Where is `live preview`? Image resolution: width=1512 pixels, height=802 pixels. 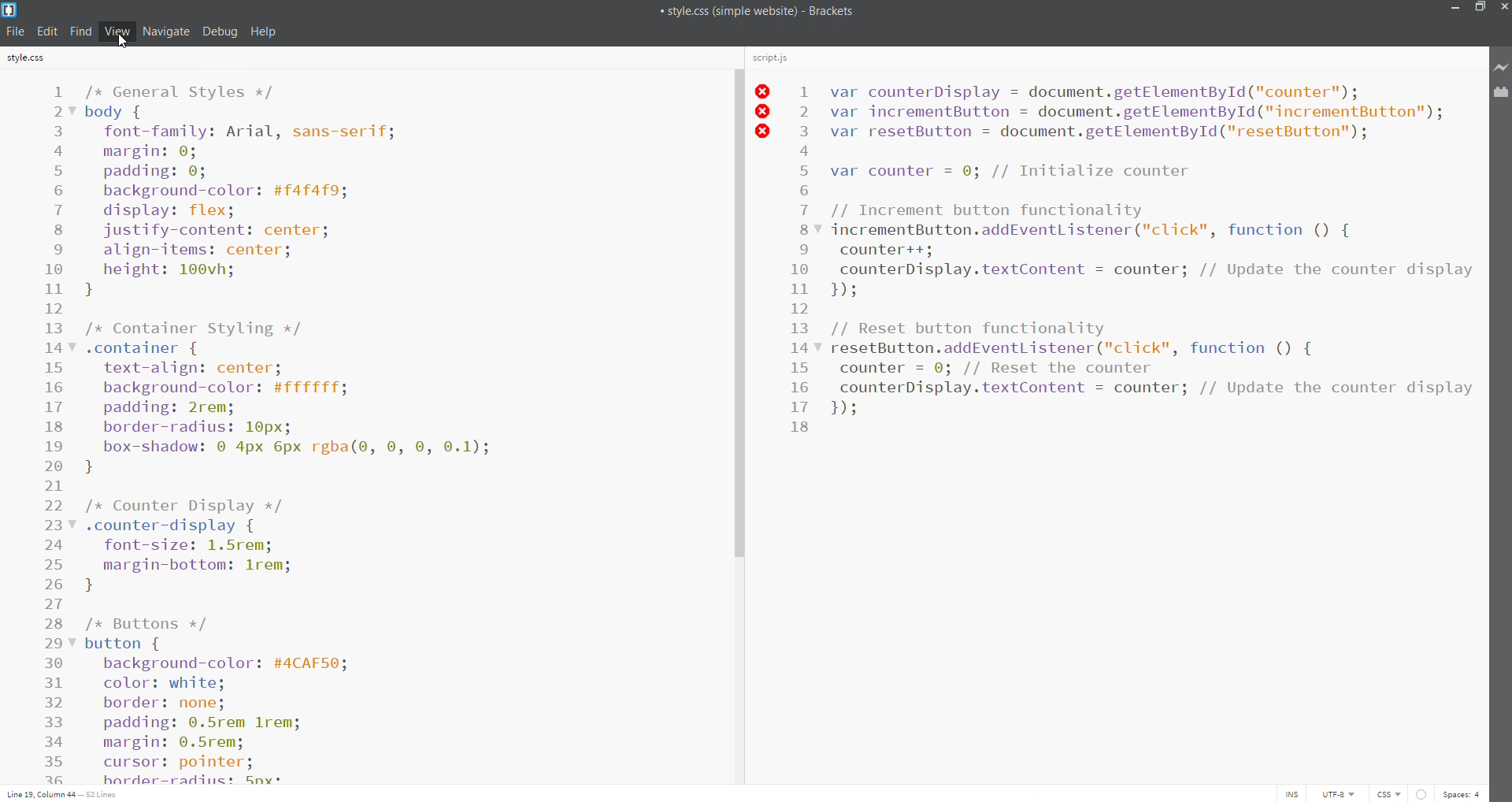 live preview is located at coordinates (1502, 68).